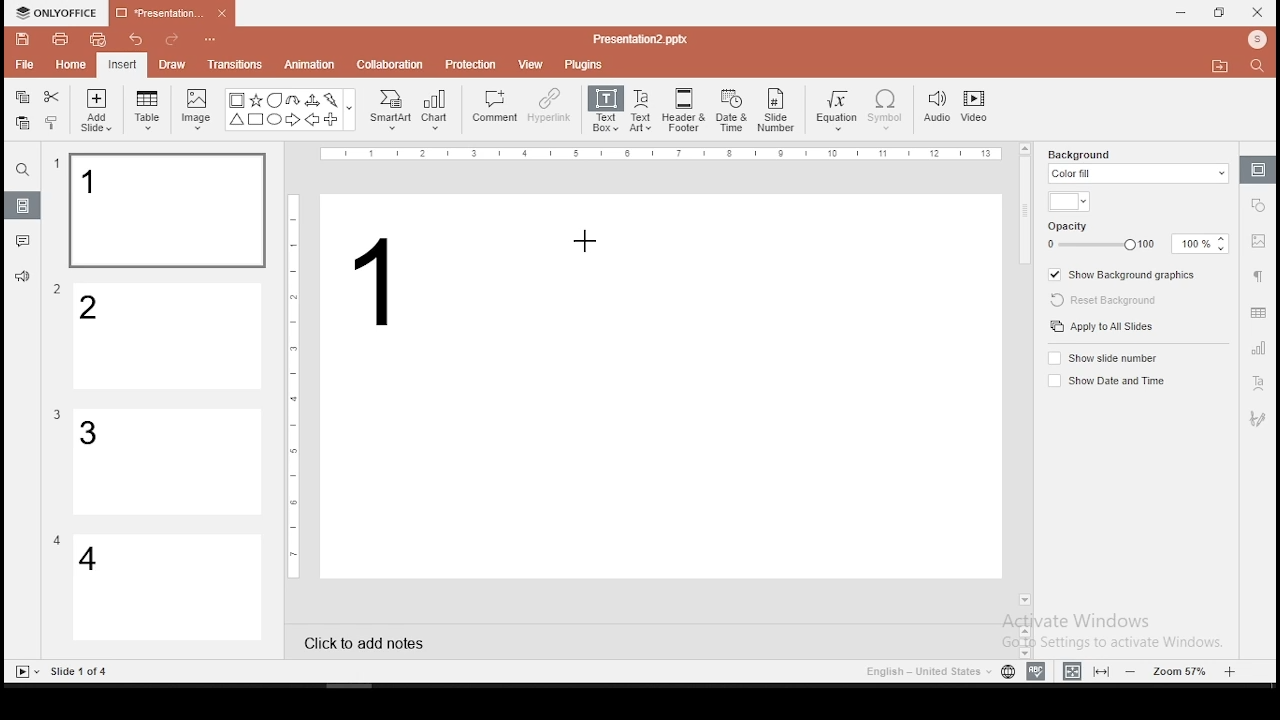 This screenshot has height=720, width=1280. Describe the element at coordinates (1256, 243) in the screenshot. I see `image settings` at that location.